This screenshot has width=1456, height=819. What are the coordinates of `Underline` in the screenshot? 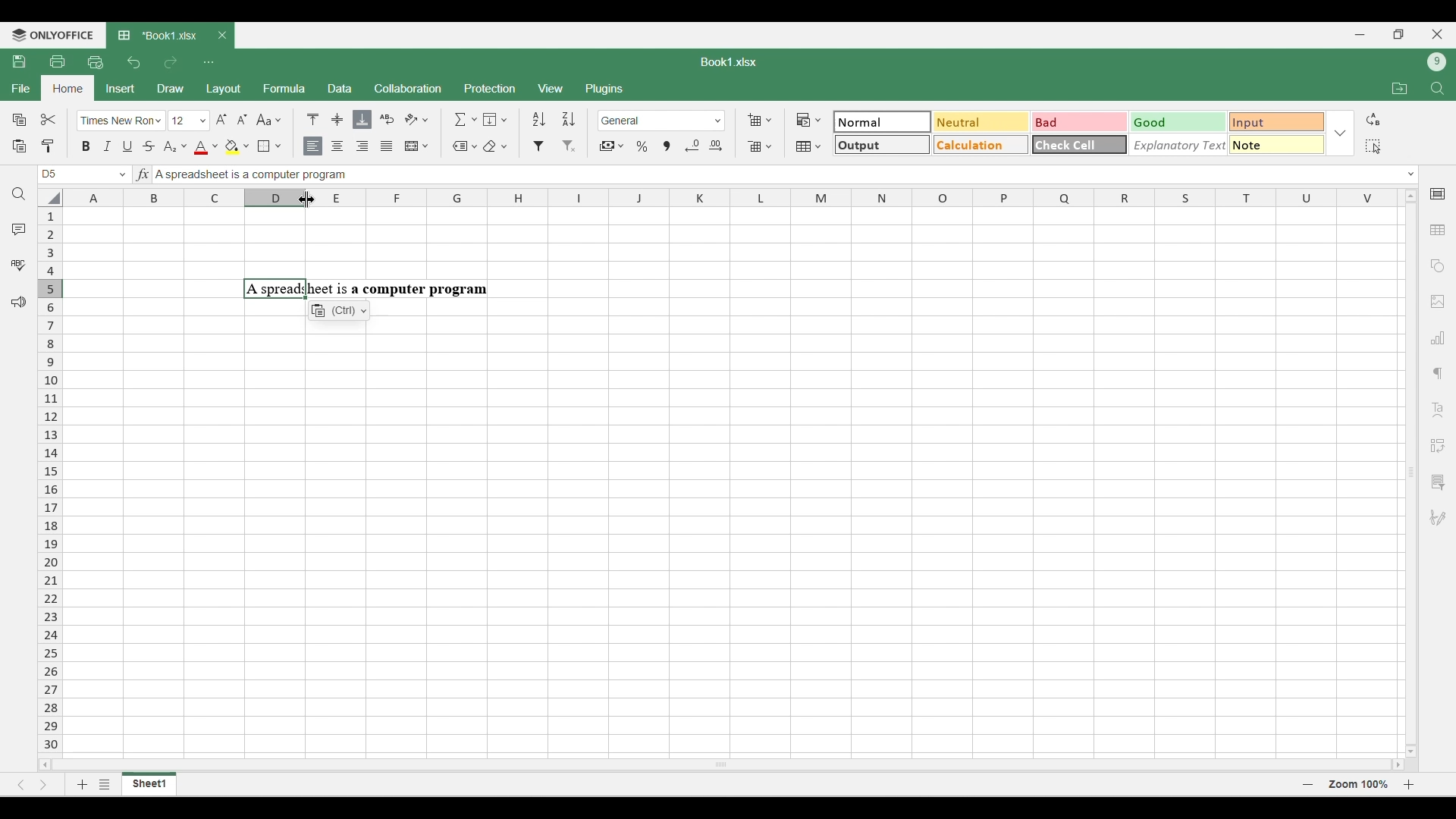 It's located at (127, 146).